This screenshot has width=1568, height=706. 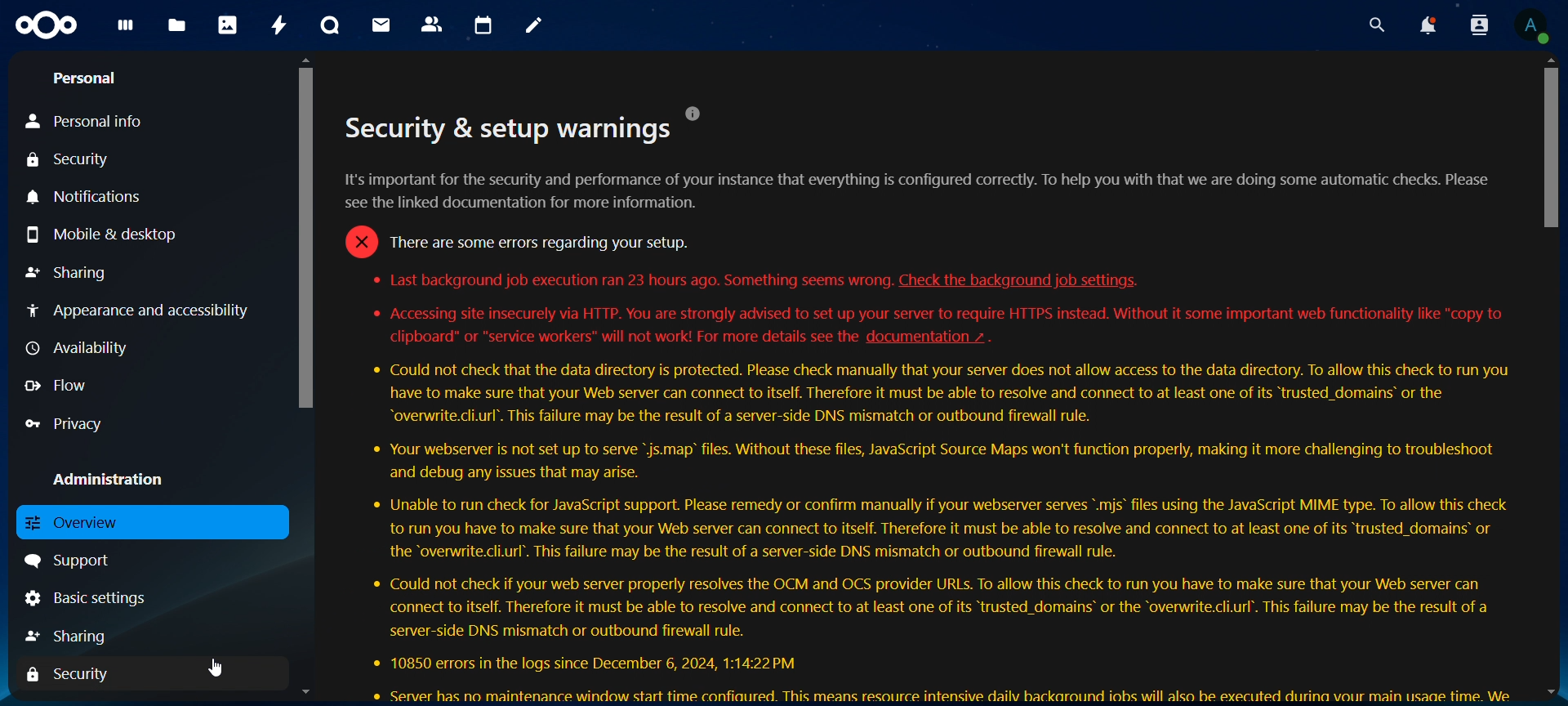 I want to click on dashboard, so click(x=126, y=29).